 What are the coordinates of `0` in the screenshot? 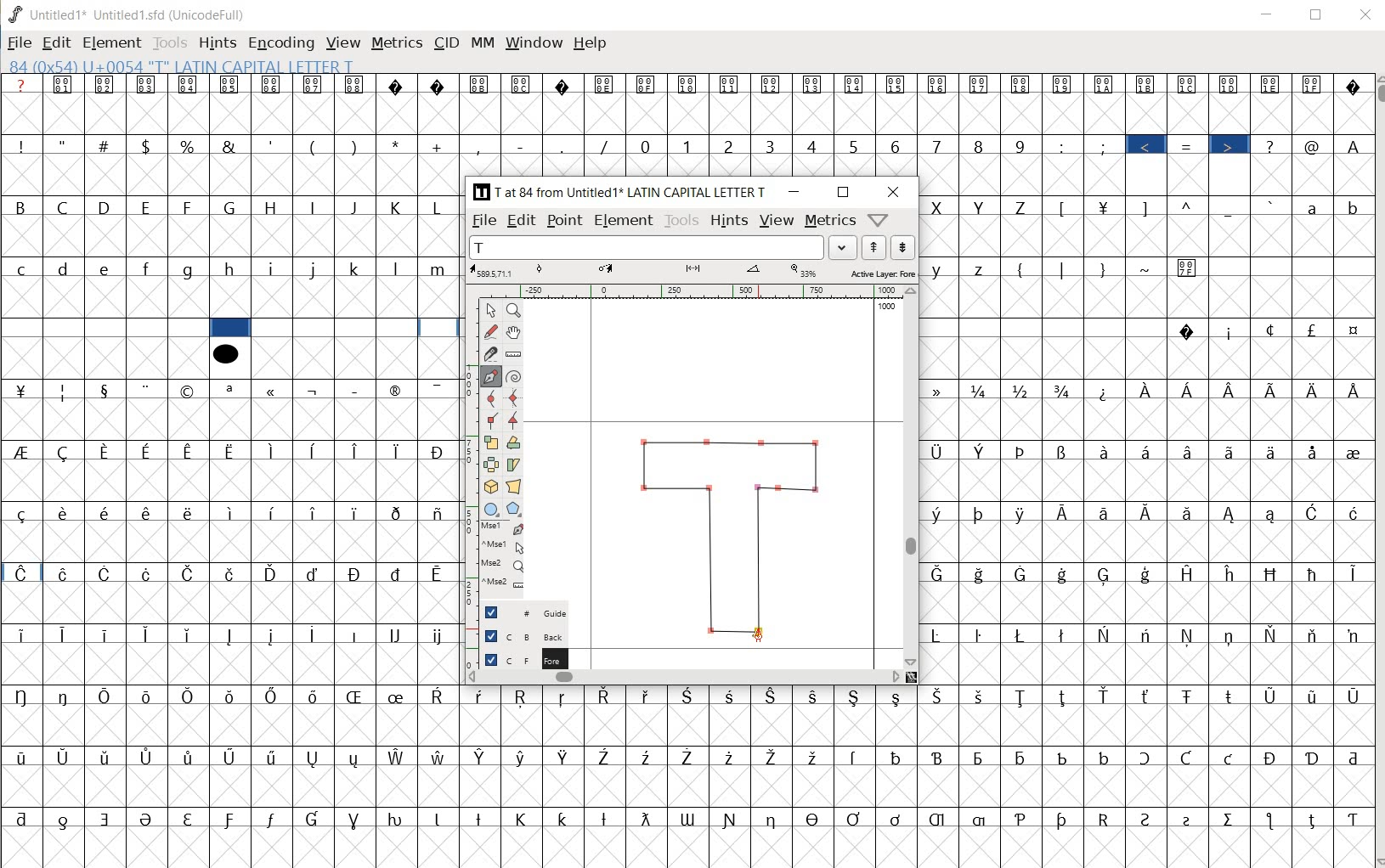 It's located at (647, 146).